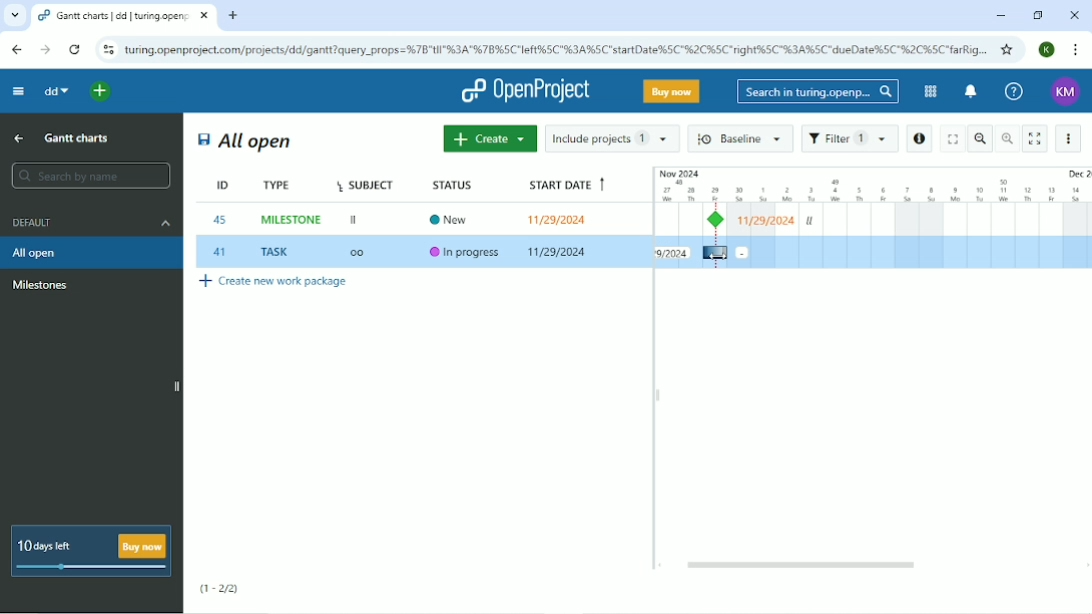  I want to click on Activate zen mode, so click(1035, 139).